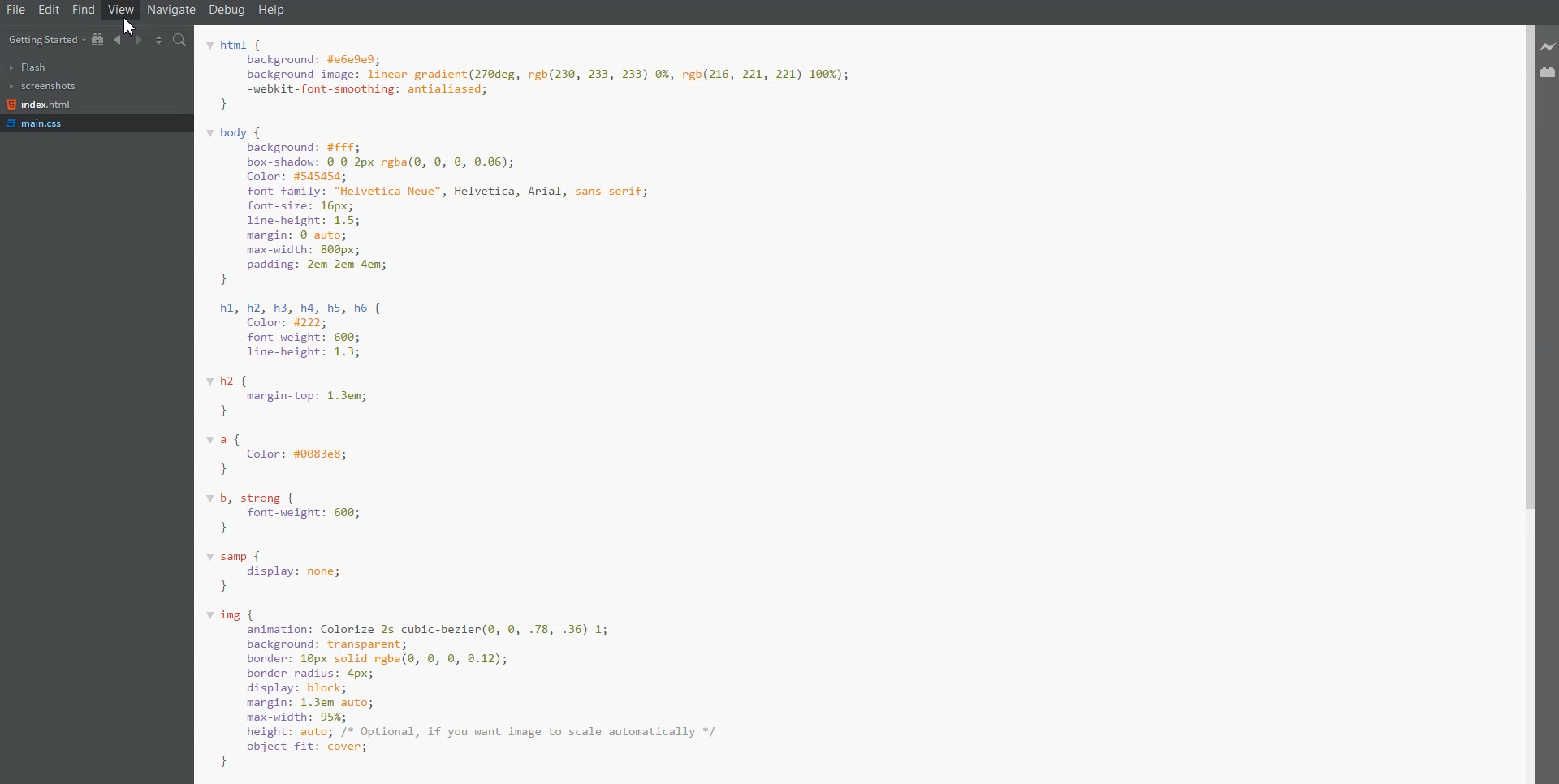 This screenshot has width=1559, height=784. I want to click on Flash, so click(29, 67).